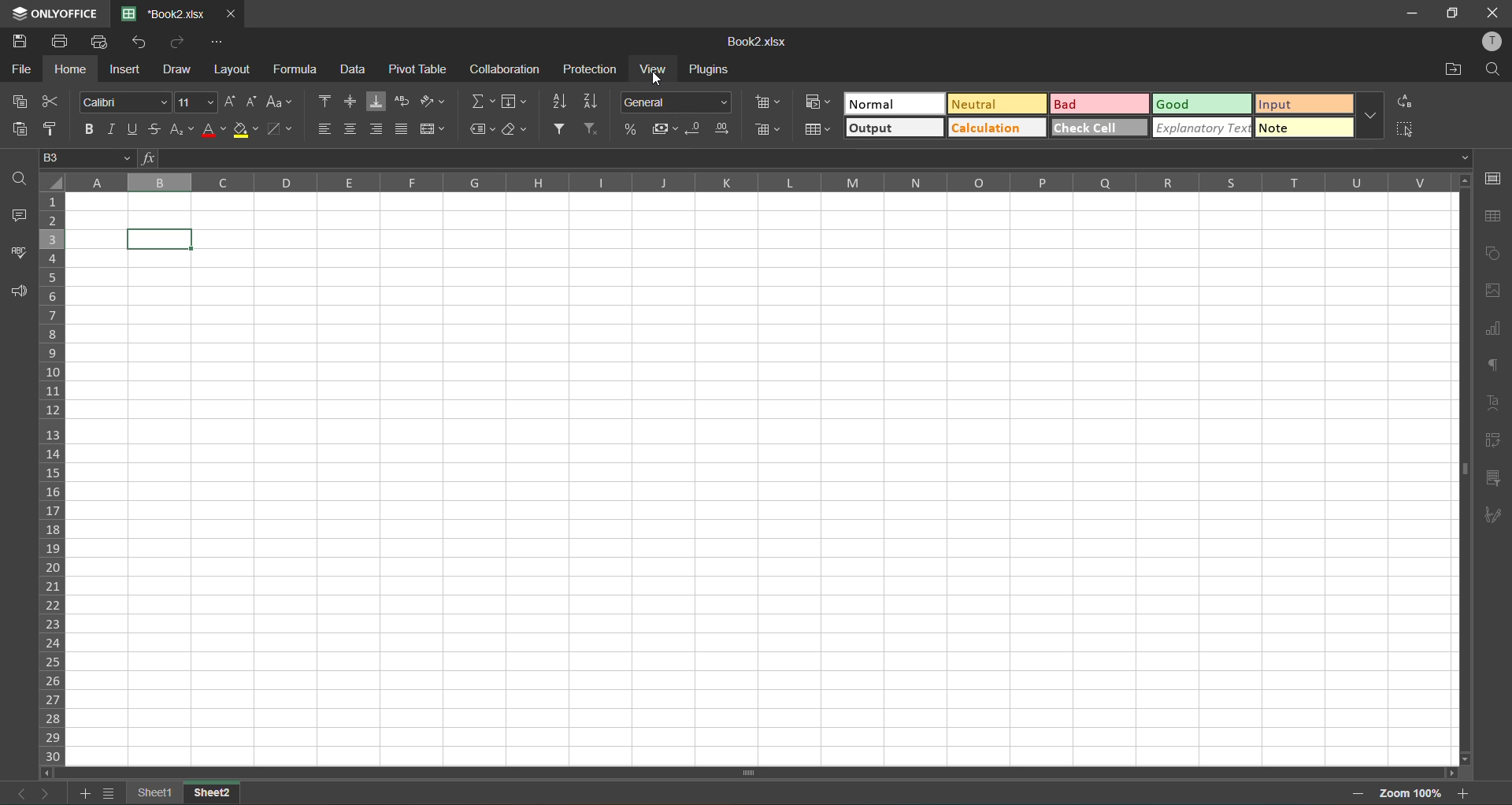 Image resolution: width=1512 pixels, height=805 pixels. Describe the element at coordinates (594, 102) in the screenshot. I see `sort descending` at that location.